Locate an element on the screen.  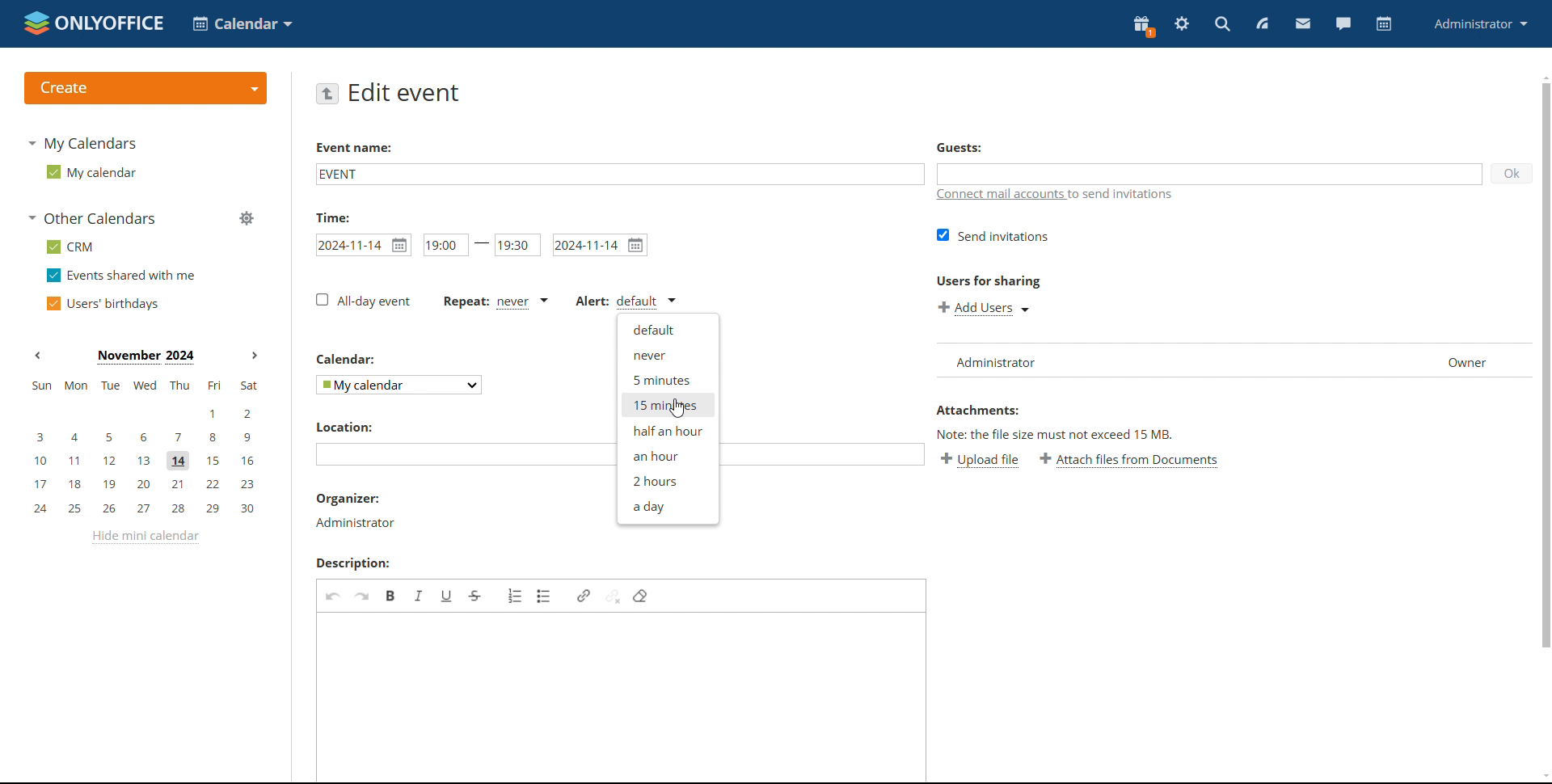
hide mini calendar is located at coordinates (145, 537).